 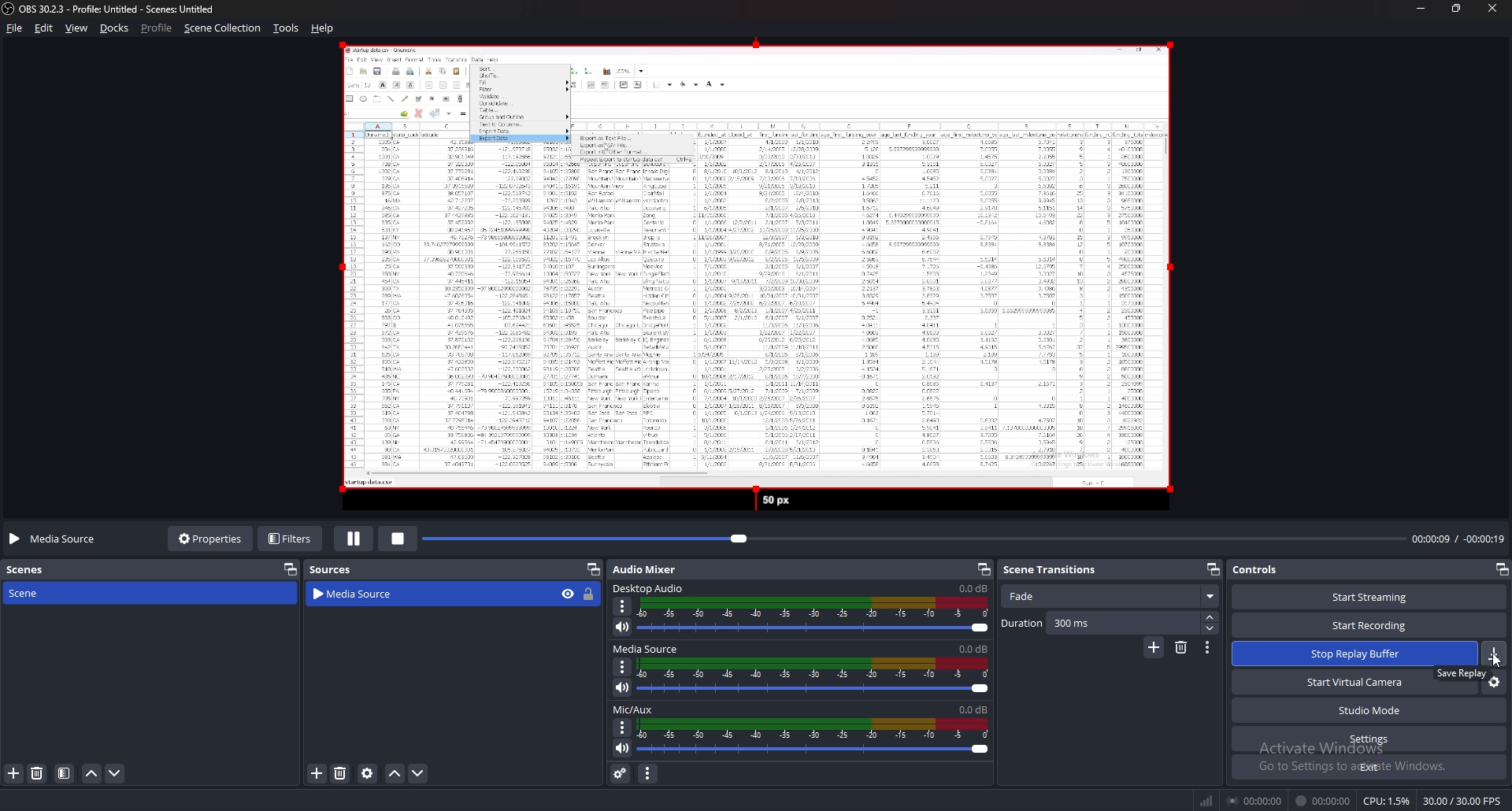 What do you see at coordinates (1369, 710) in the screenshot?
I see `studio mode` at bounding box center [1369, 710].